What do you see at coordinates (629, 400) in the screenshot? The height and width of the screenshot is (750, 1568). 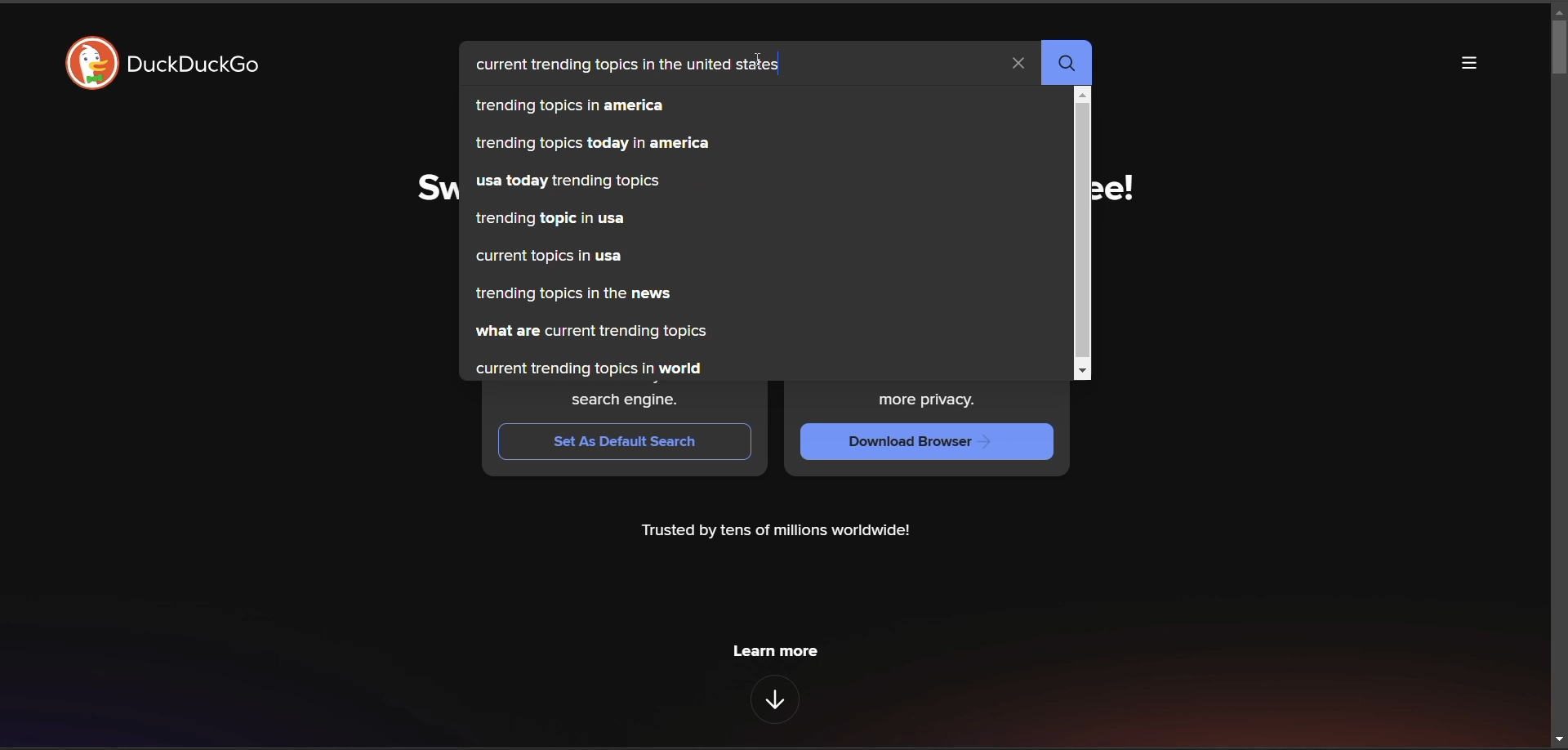 I see `search engine.` at bounding box center [629, 400].